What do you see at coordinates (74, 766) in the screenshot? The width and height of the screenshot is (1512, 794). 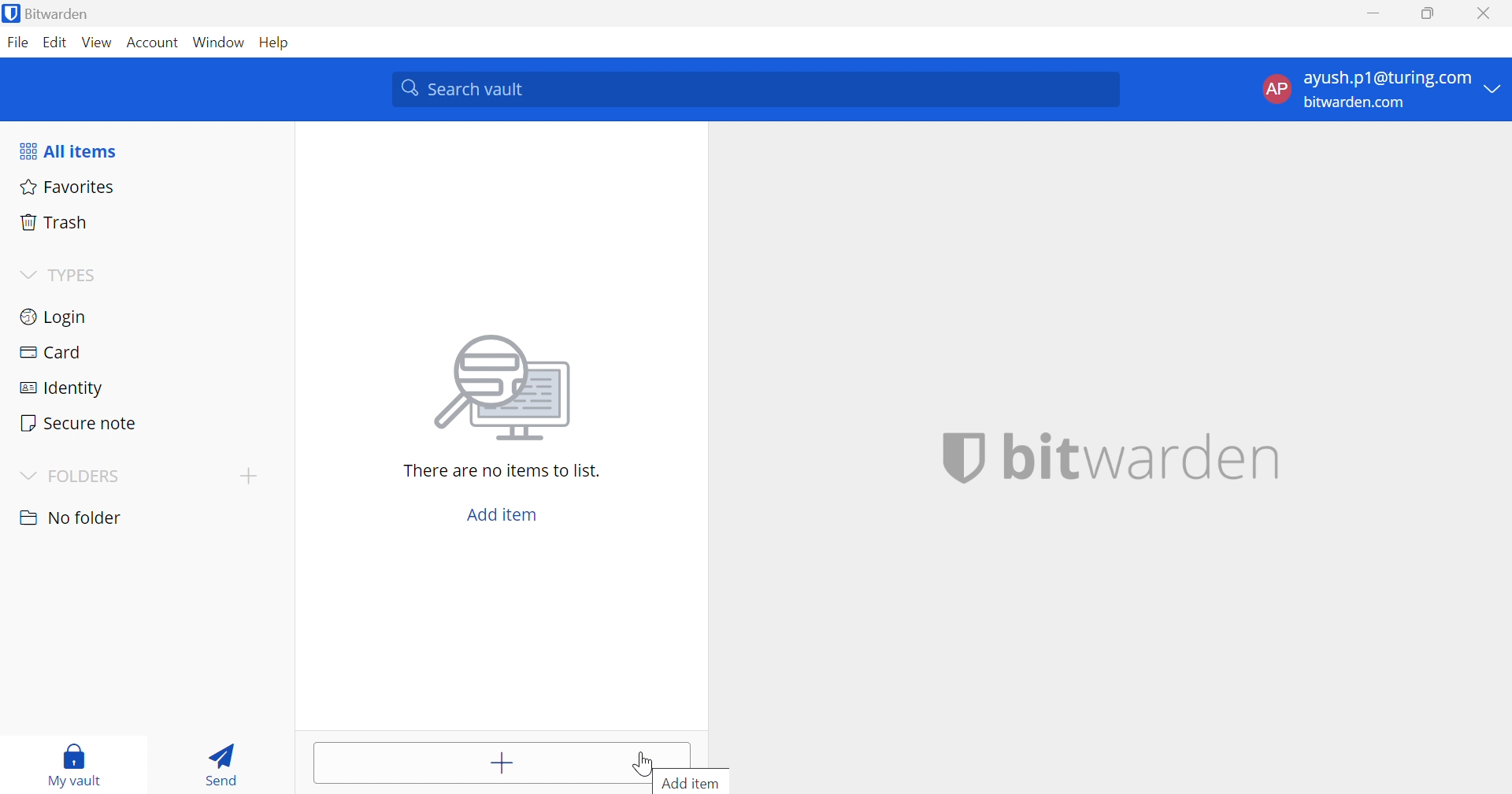 I see `My vault` at bounding box center [74, 766].